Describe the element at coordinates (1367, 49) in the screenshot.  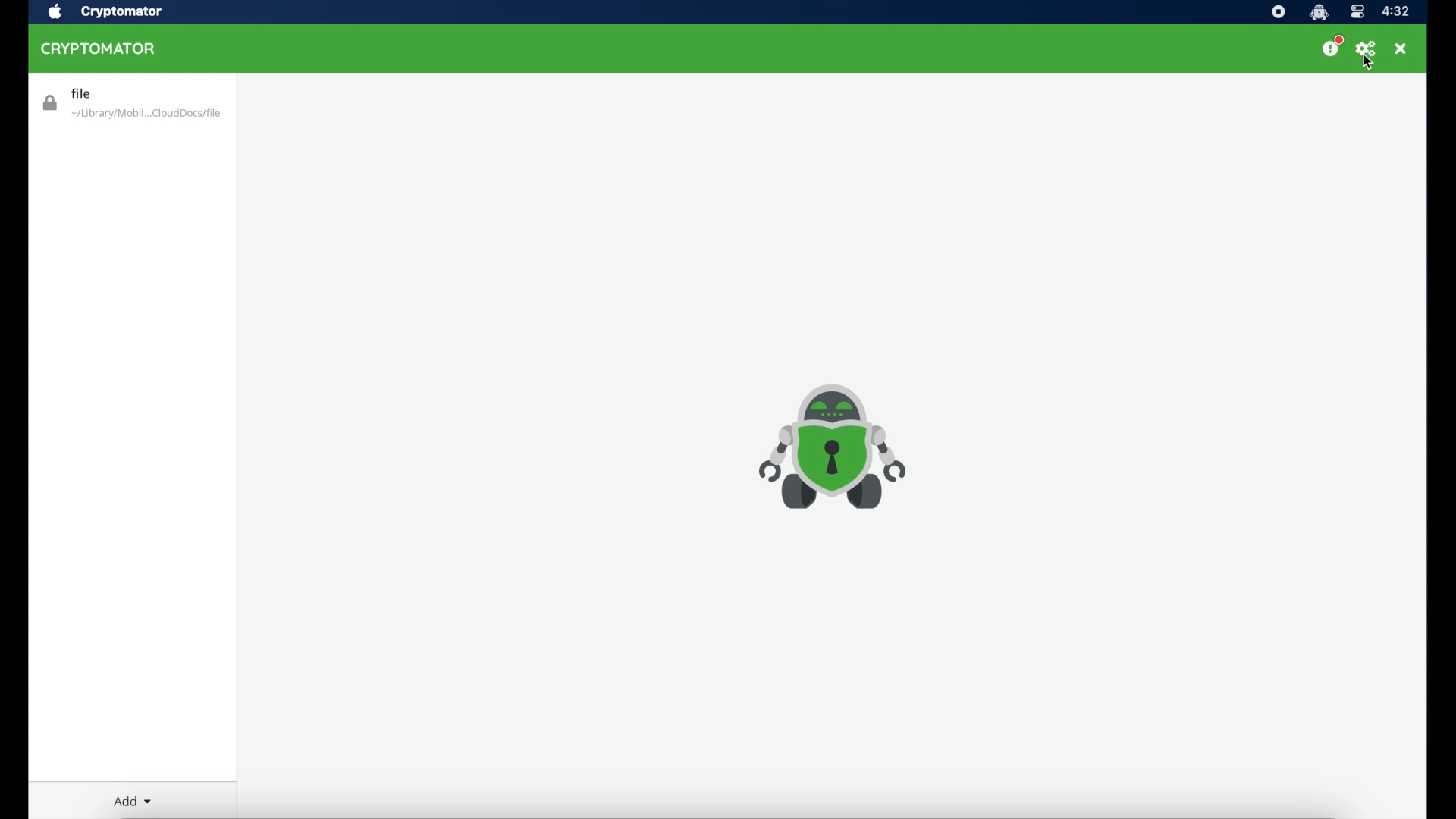
I see `preferences` at that location.